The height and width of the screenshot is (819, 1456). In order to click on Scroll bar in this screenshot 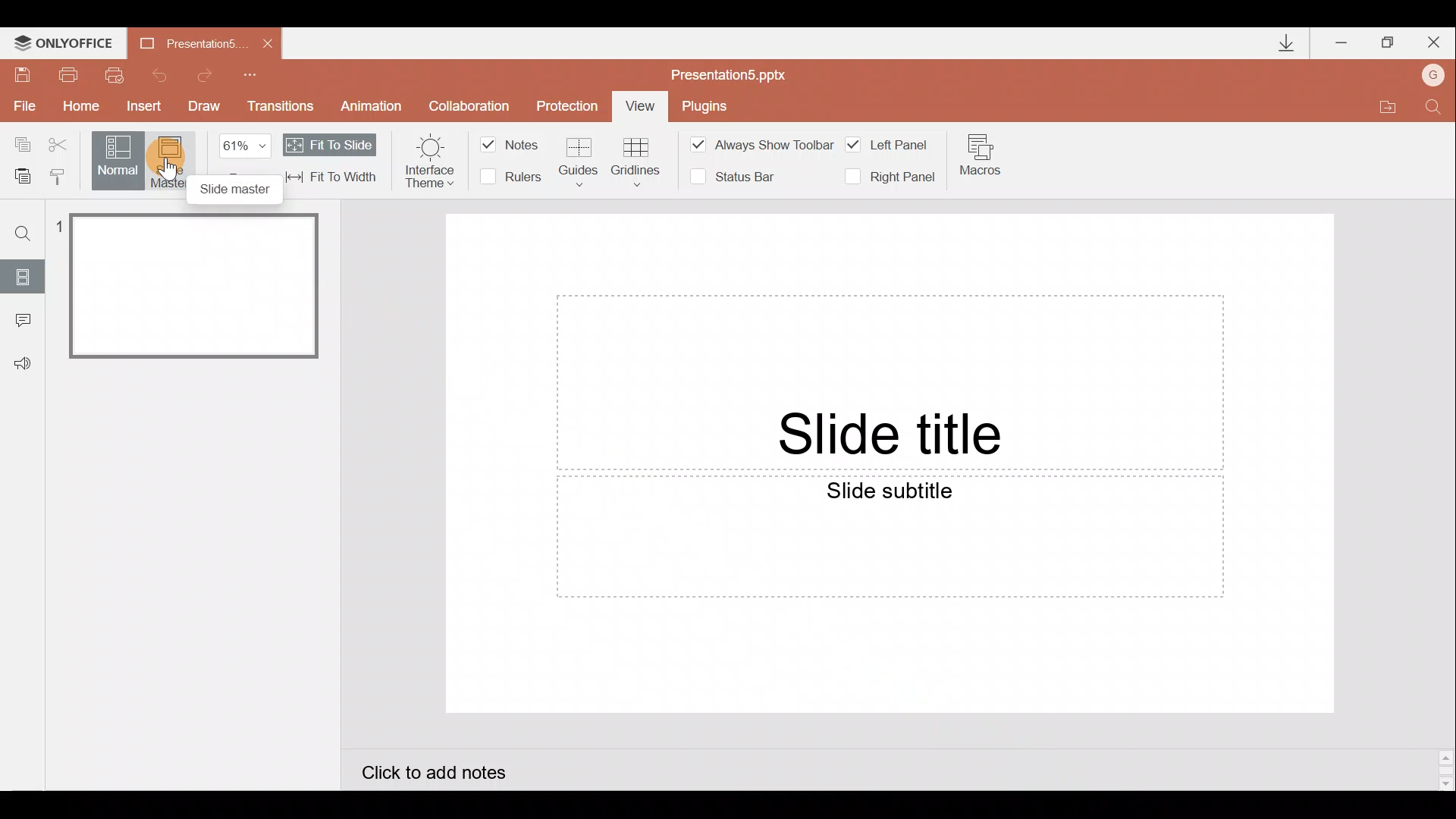, I will do `click(1443, 764)`.